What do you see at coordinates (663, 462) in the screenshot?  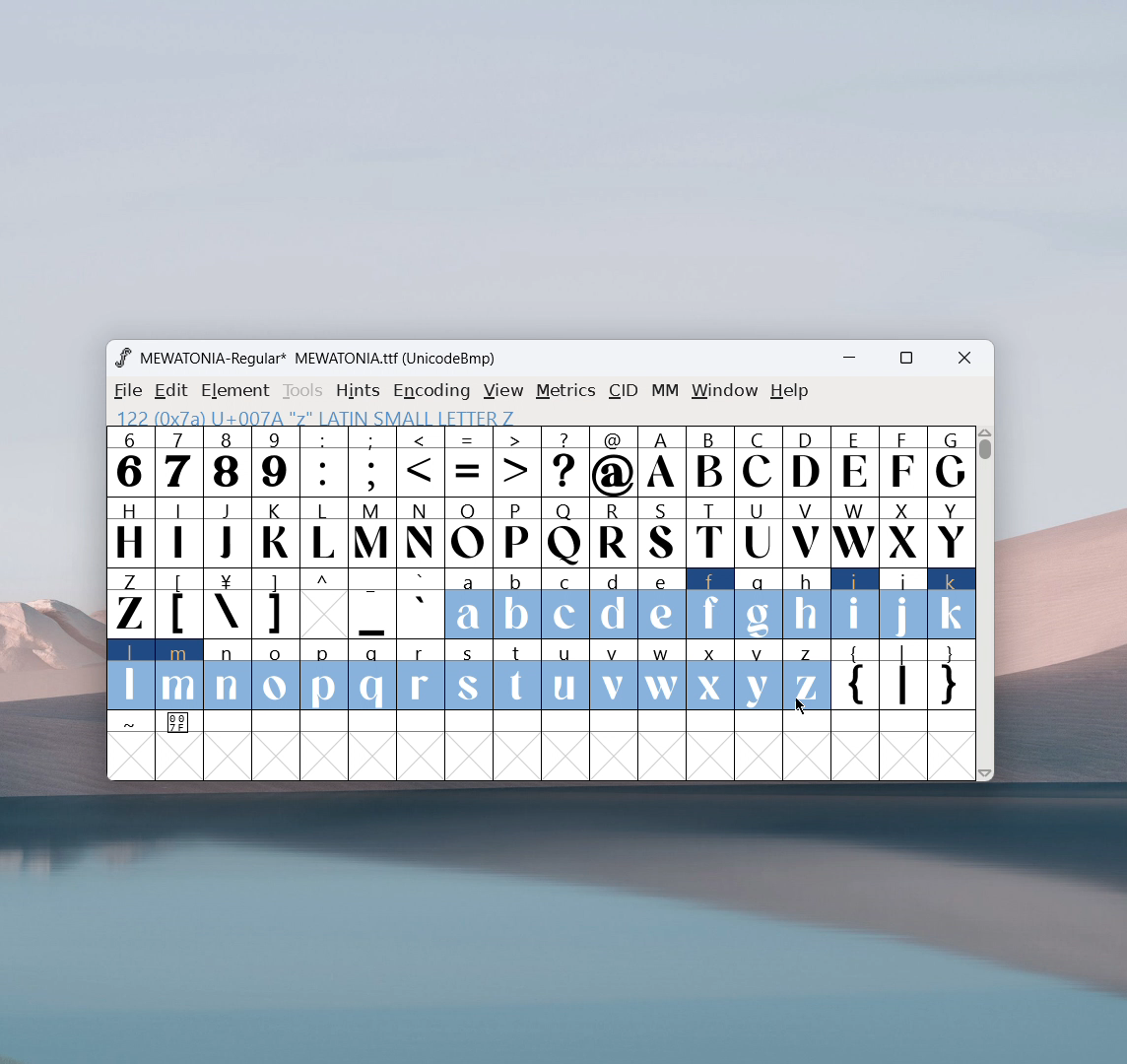 I see `A` at bounding box center [663, 462].